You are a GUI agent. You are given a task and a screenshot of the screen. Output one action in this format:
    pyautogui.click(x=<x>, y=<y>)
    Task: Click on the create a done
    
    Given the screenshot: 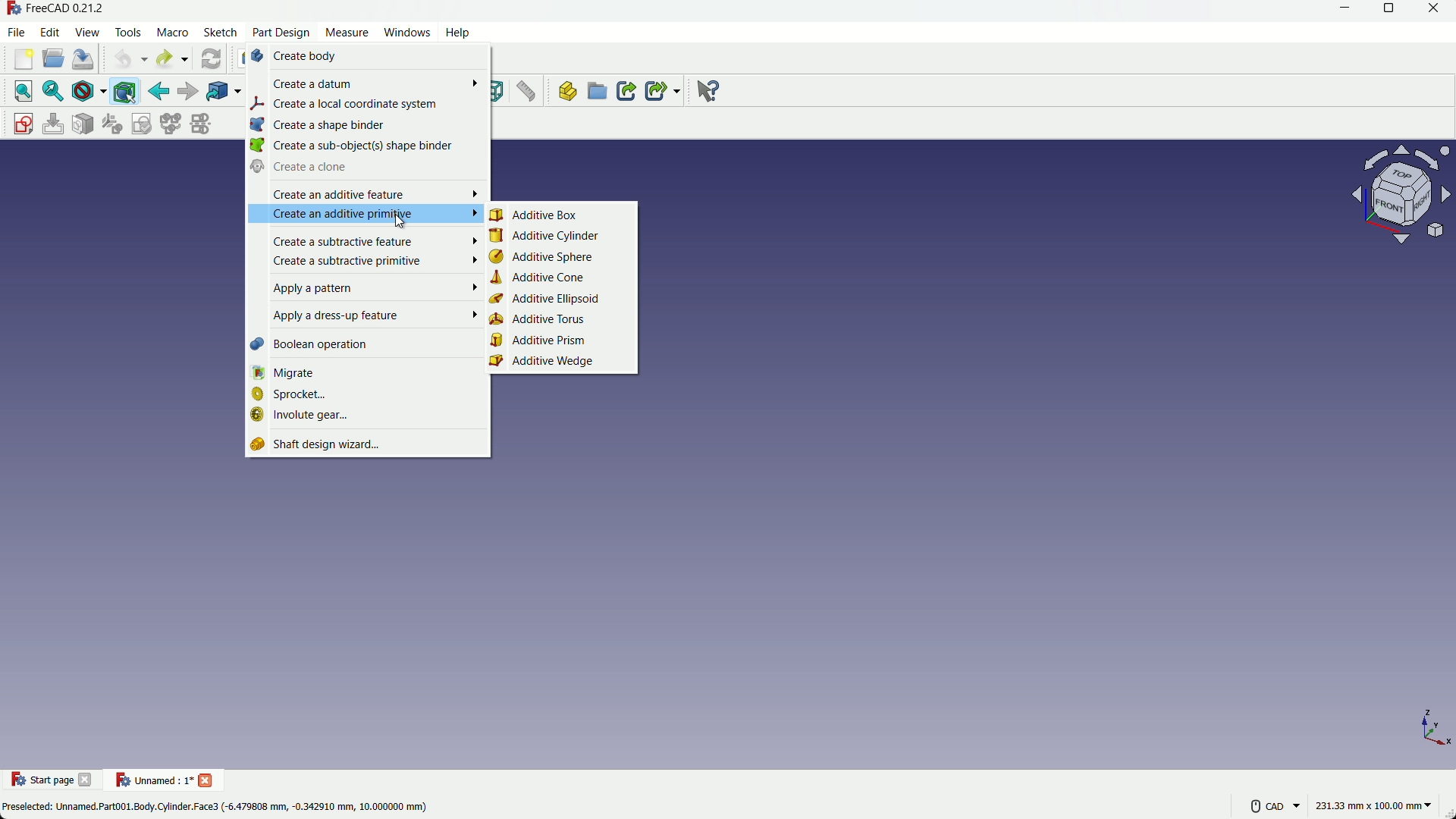 What is the action you would take?
    pyautogui.click(x=366, y=169)
    